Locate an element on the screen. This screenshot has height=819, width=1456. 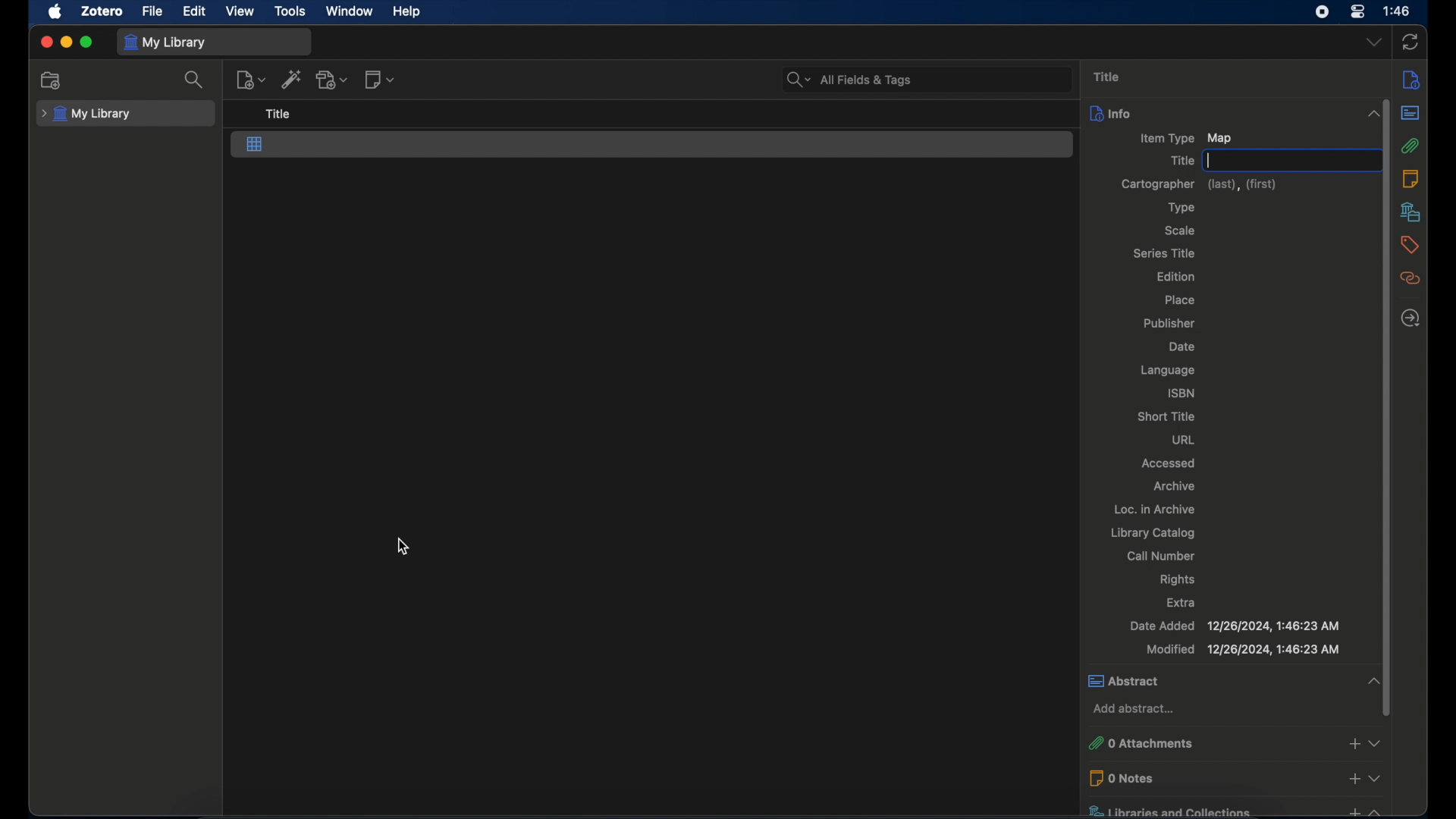
text cursor is located at coordinates (1209, 161).